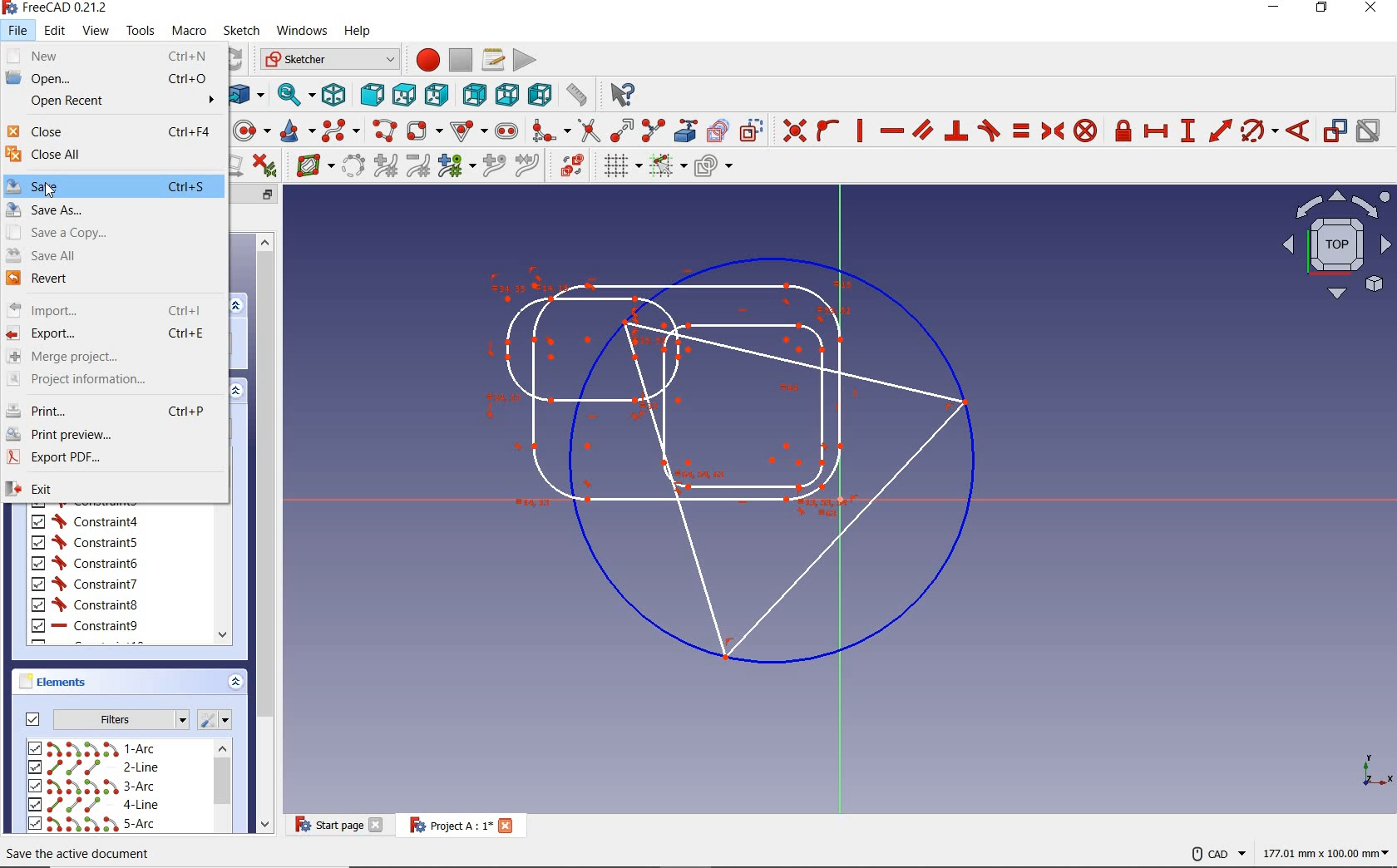 The height and width of the screenshot is (868, 1397). What do you see at coordinates (1335, 131) in the screenshot?
I see `toggle driving` at bounding box center [1335, 131].